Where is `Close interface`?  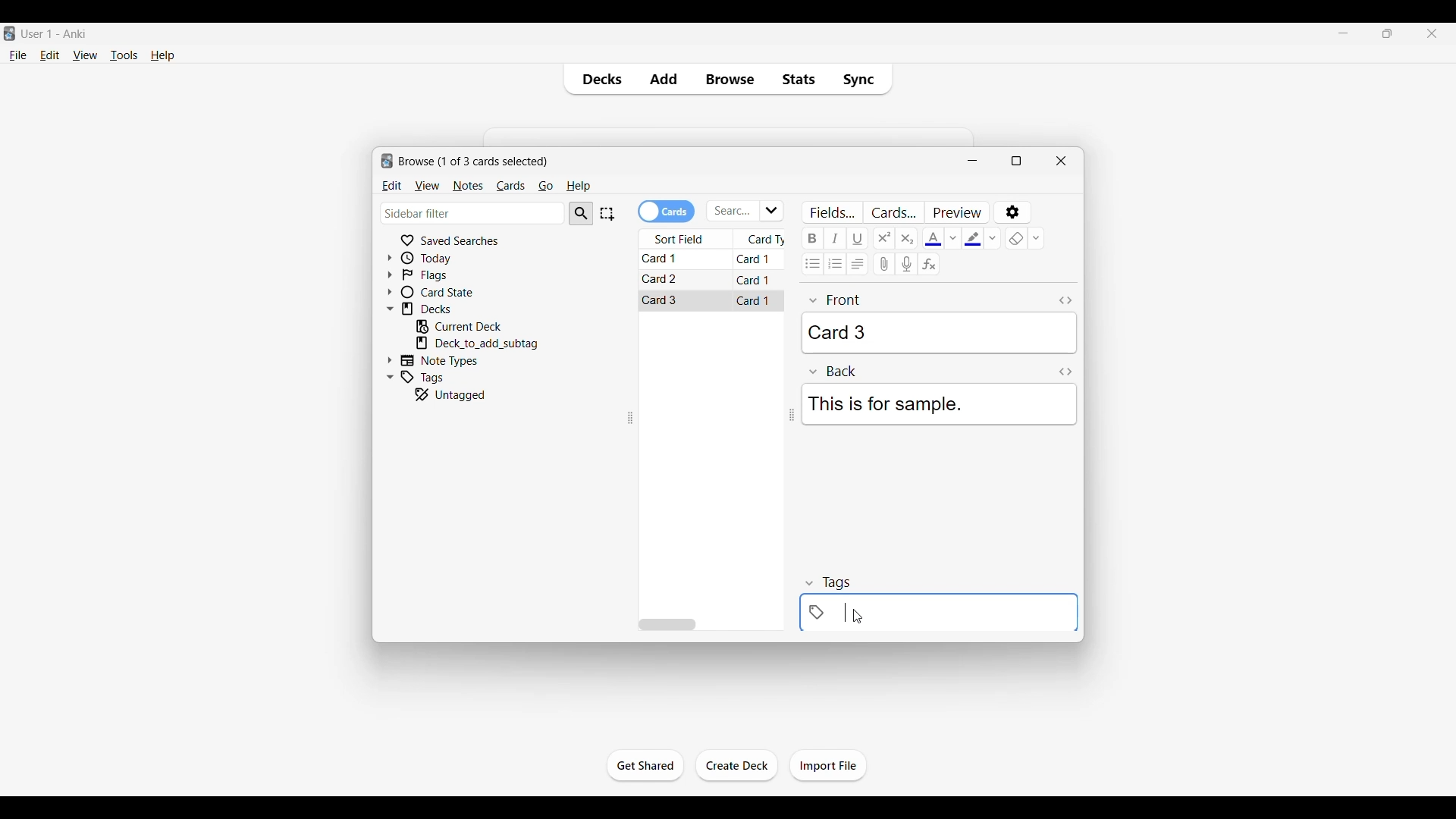 Close interface is located at coordinates (1432, 33).